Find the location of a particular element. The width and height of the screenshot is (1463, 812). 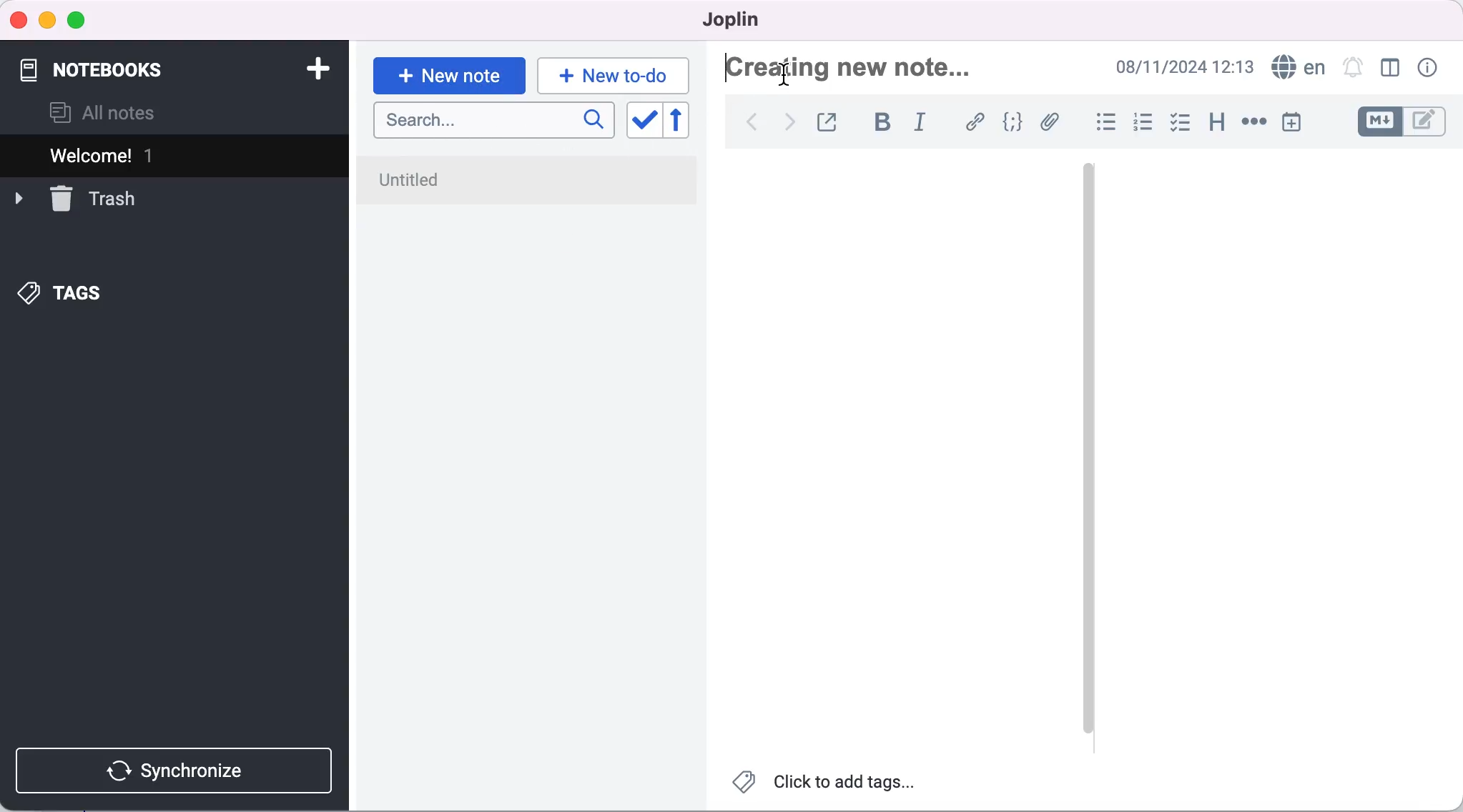

toggle editor layout is located at coordinates (1391, 68).